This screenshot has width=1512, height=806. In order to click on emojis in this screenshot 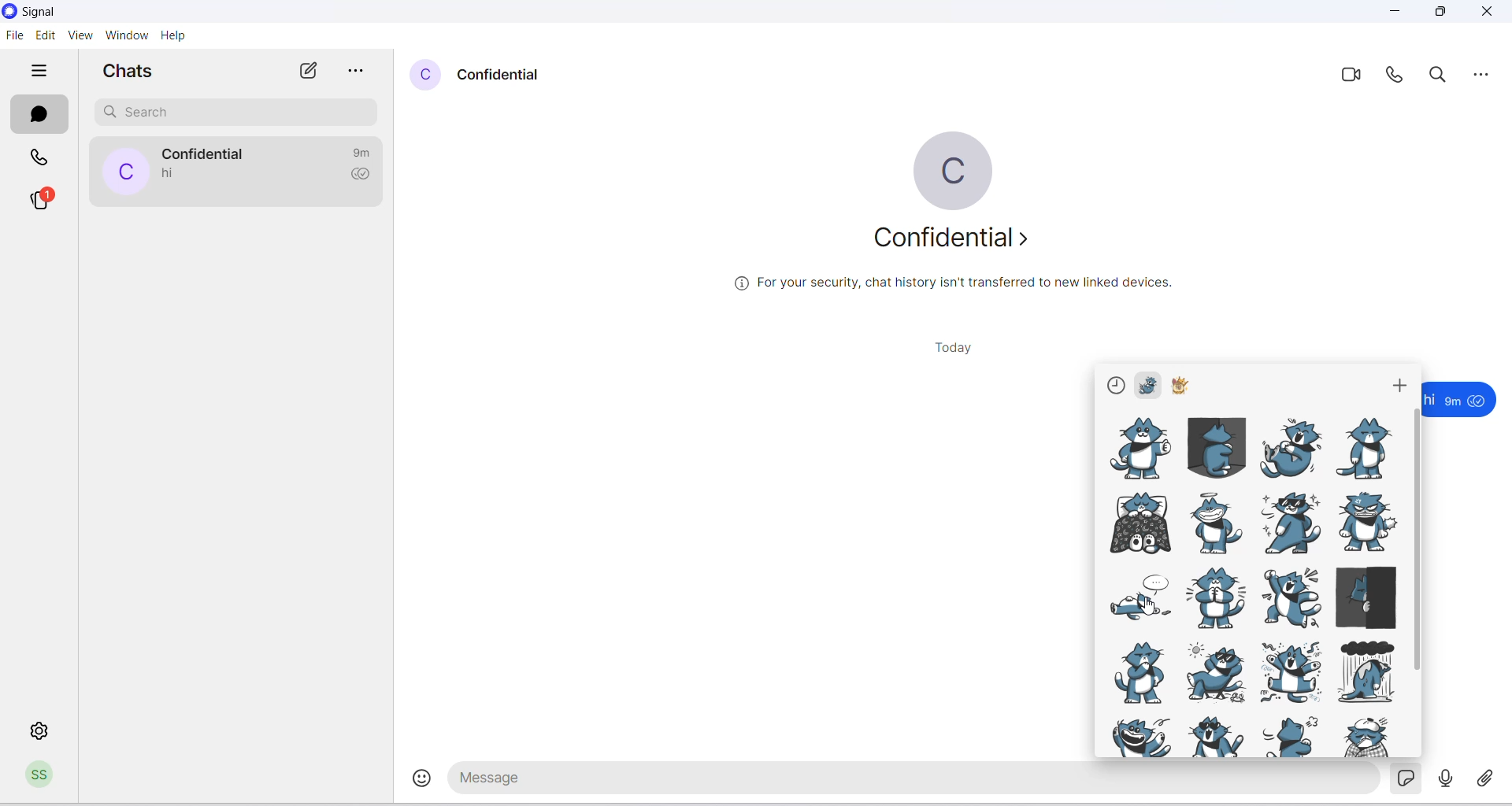, I will do `click(413, 782)`.